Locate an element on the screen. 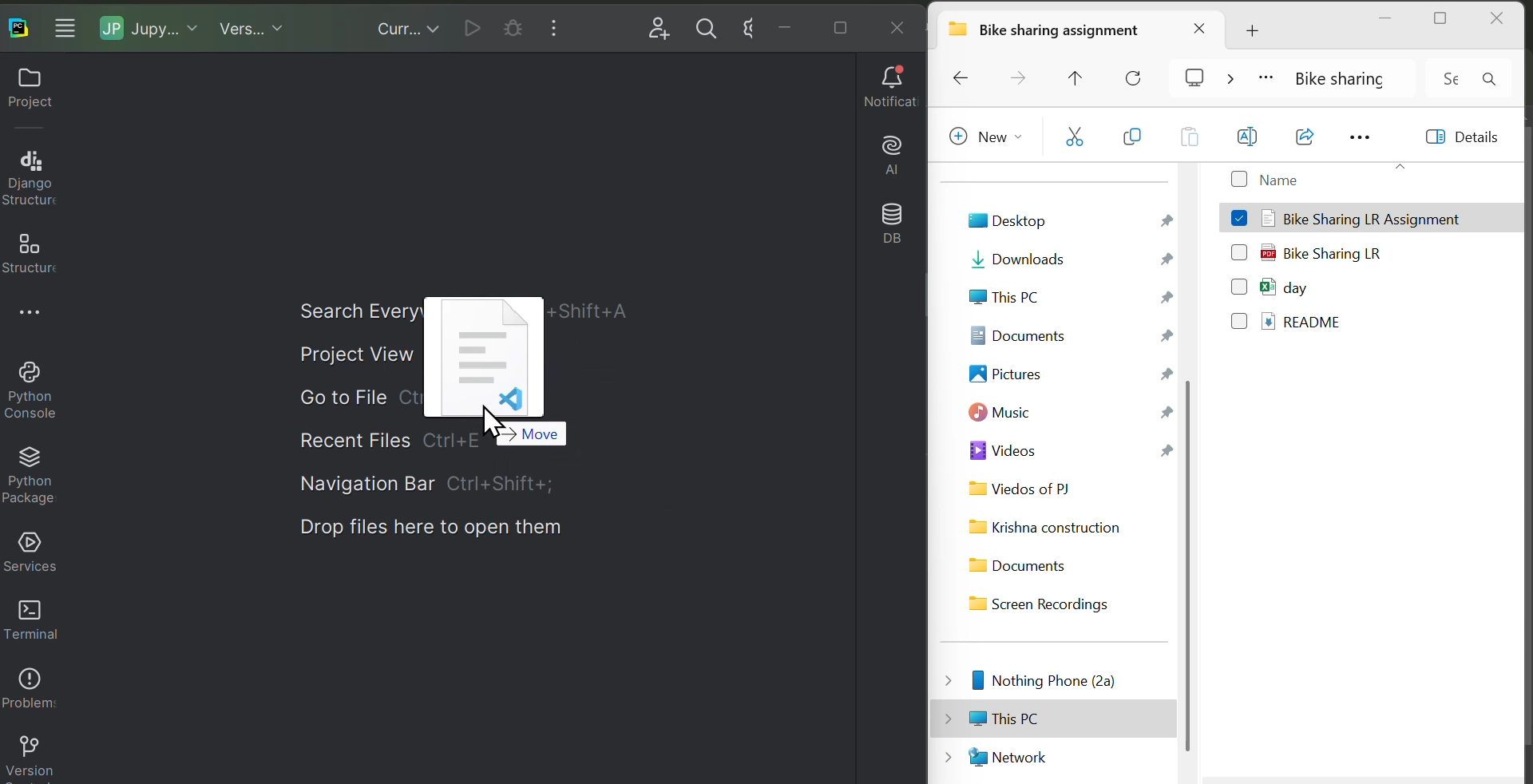 The height and width of the screenshot is (784, 1533). File is located at coordinates (497, 377).